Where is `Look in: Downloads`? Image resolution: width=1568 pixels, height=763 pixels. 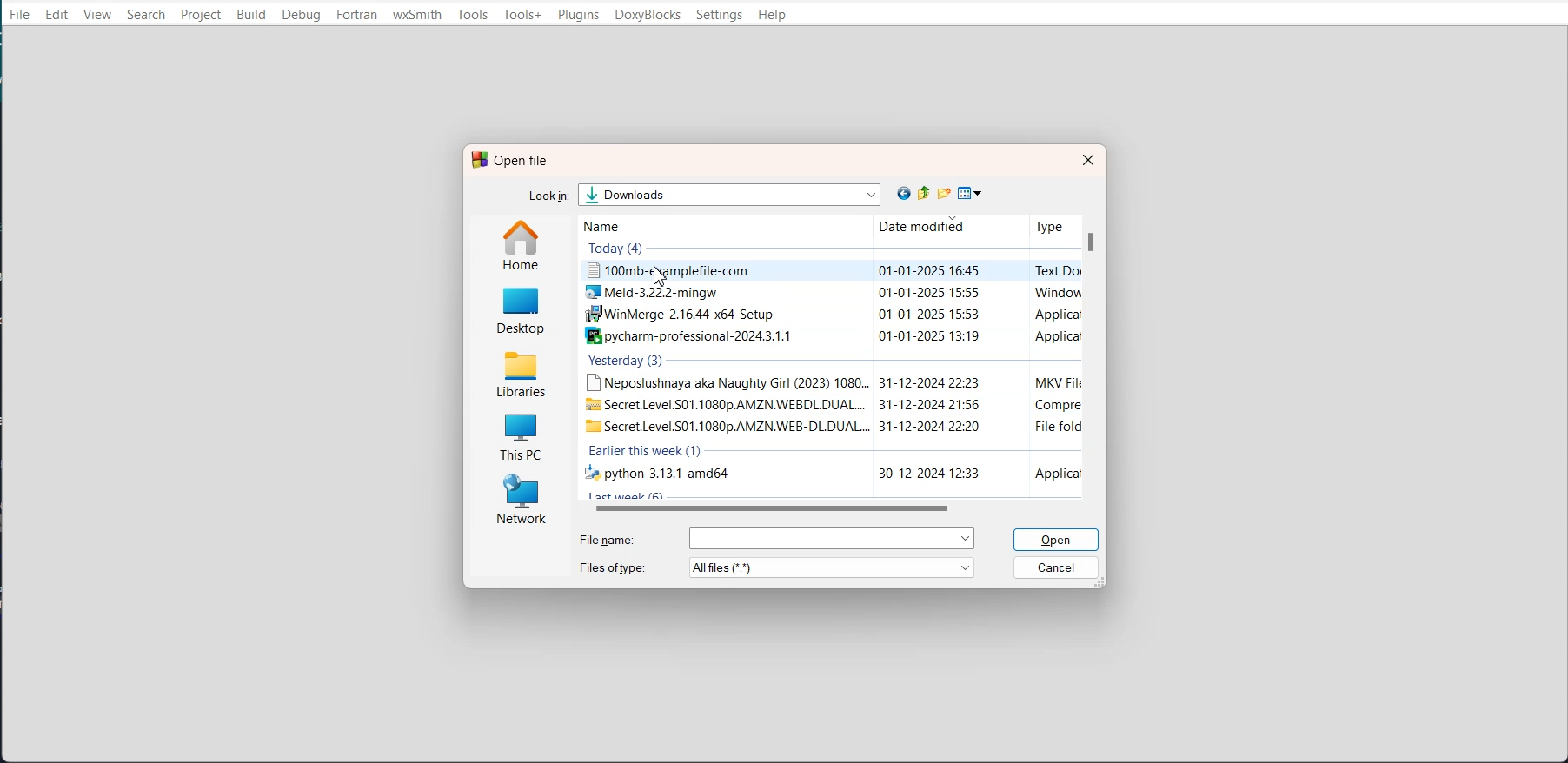
Look in: Downloads is located at coordinates (708, 194).